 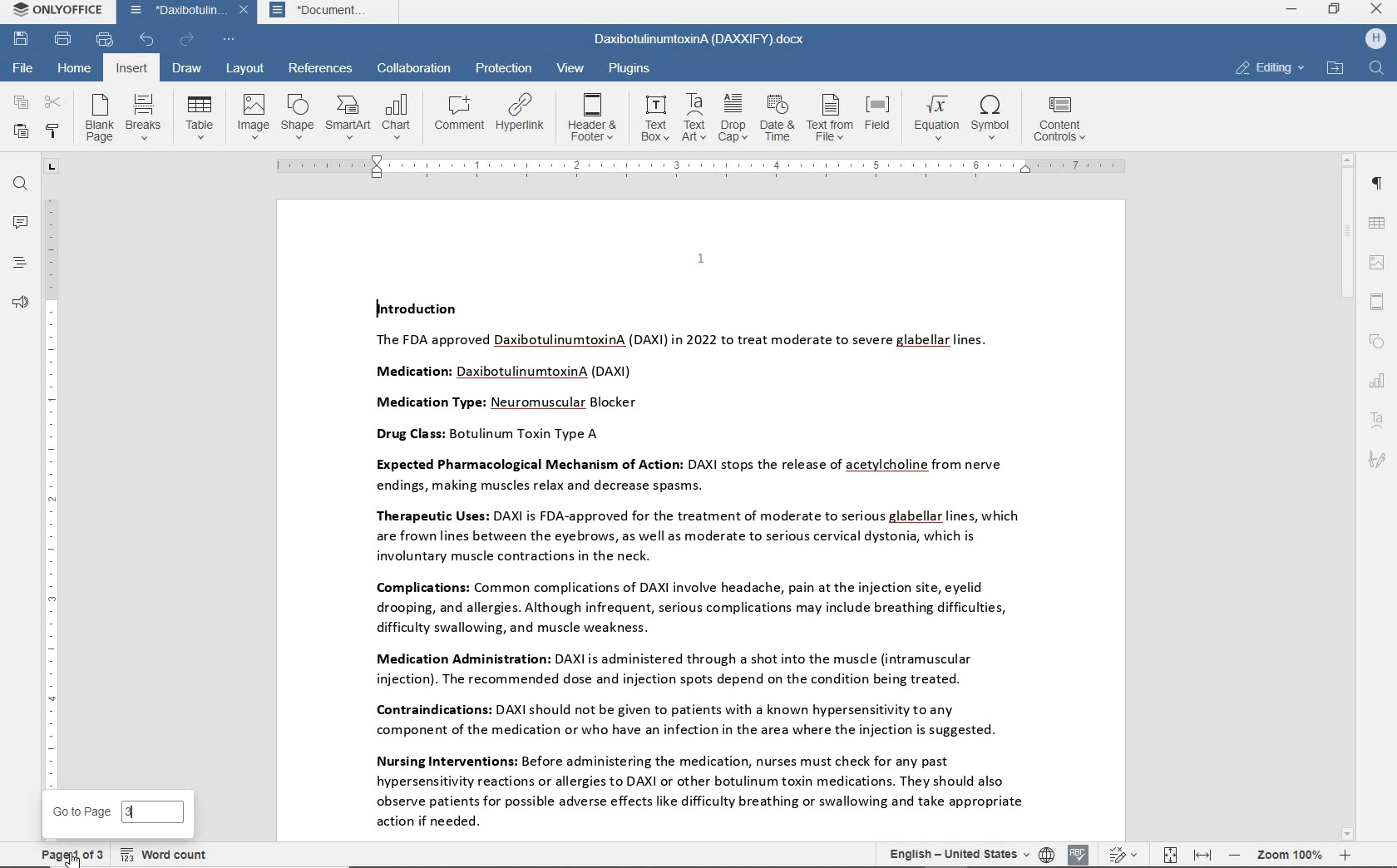 What do you see at coordinates (173, 12) in the screenshot?
I see `*Daxibotulin...` at bounding box center [173, 12].